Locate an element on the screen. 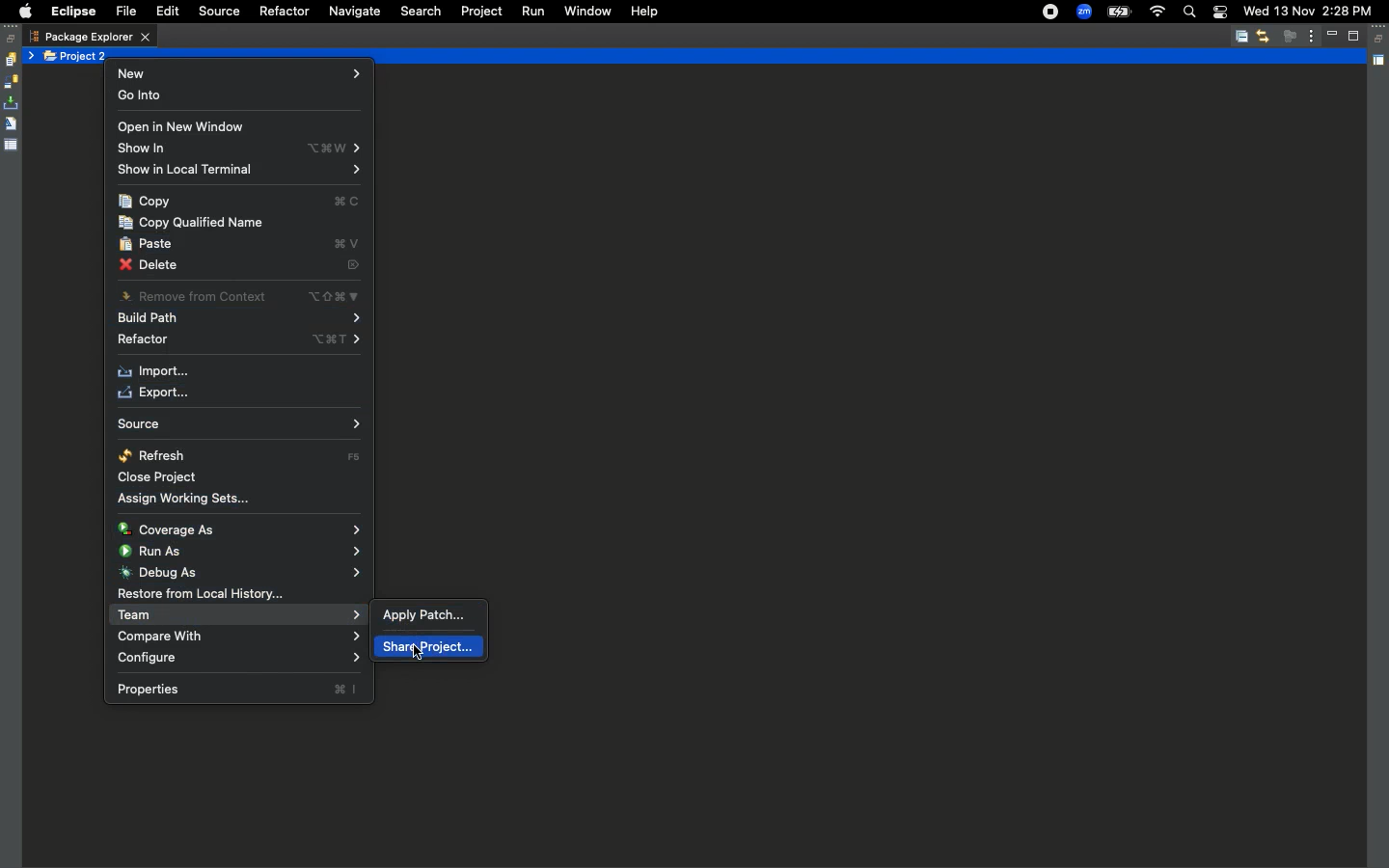 This screenshot has width=1389, height=868. Go into is located at coordinates (145, 97).